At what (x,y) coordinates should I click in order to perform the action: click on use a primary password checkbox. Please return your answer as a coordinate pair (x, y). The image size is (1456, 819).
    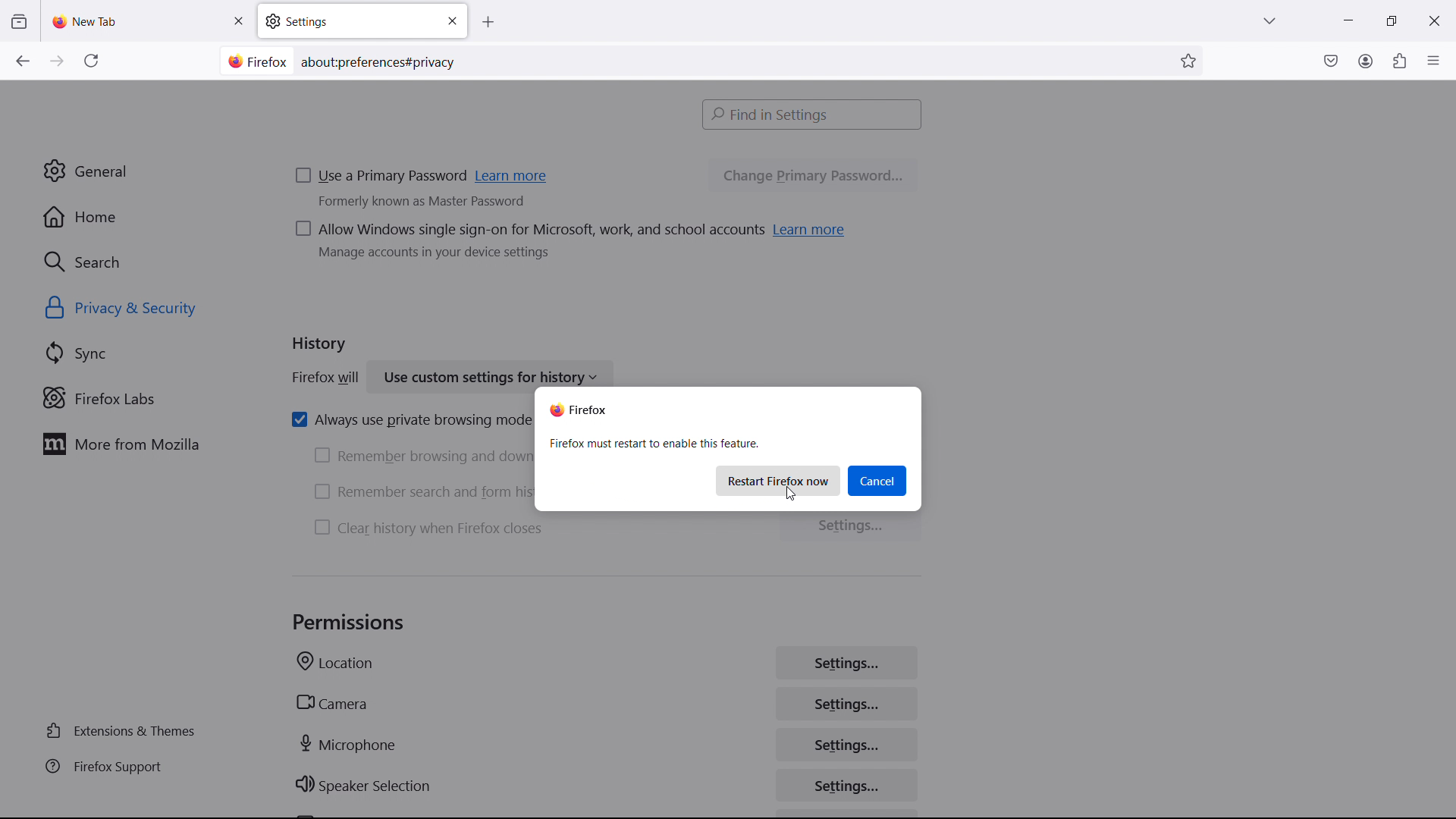
    Looking at the image, I should click on (381, 177).